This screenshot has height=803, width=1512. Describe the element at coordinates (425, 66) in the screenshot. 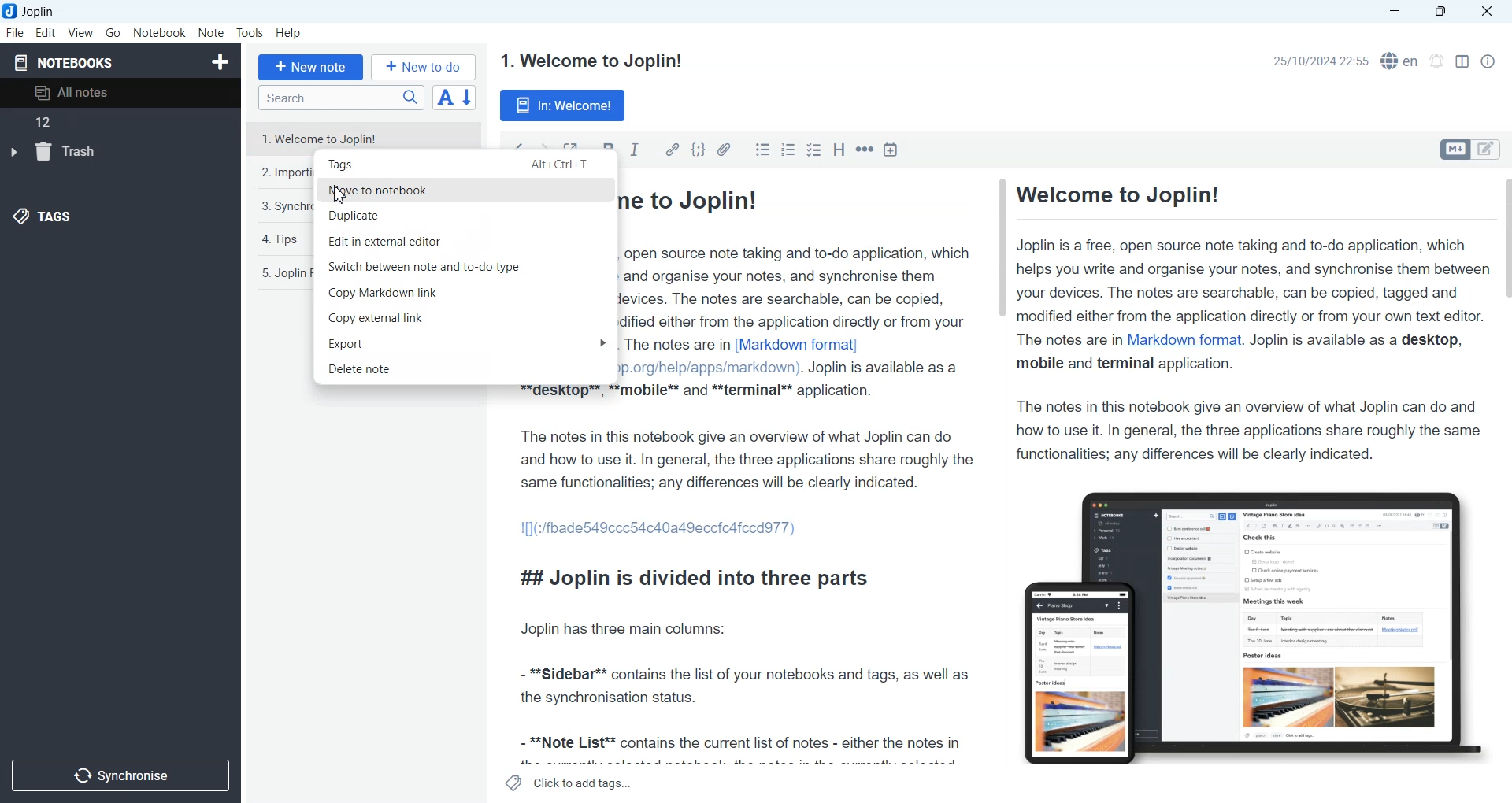

I see `+ New to-do` at that location.